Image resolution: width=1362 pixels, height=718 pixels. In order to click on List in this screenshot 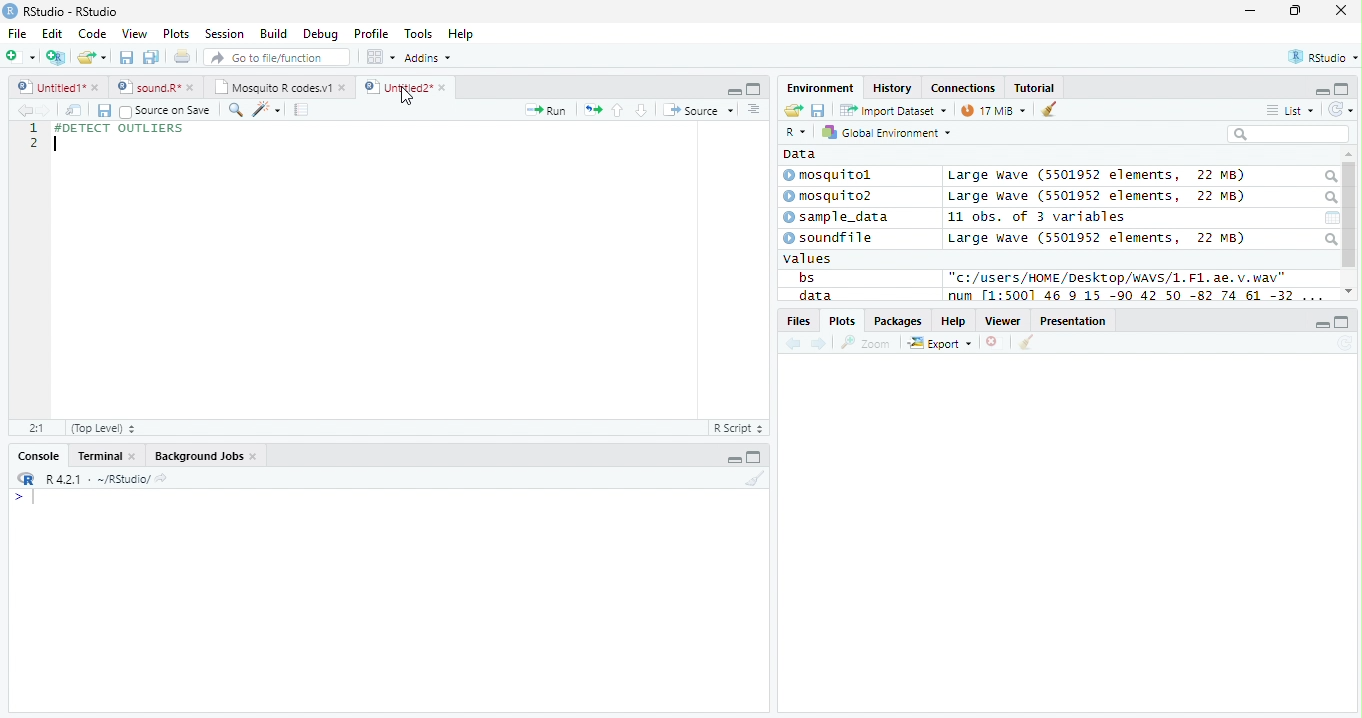, I will do `click(1290, 110)`.